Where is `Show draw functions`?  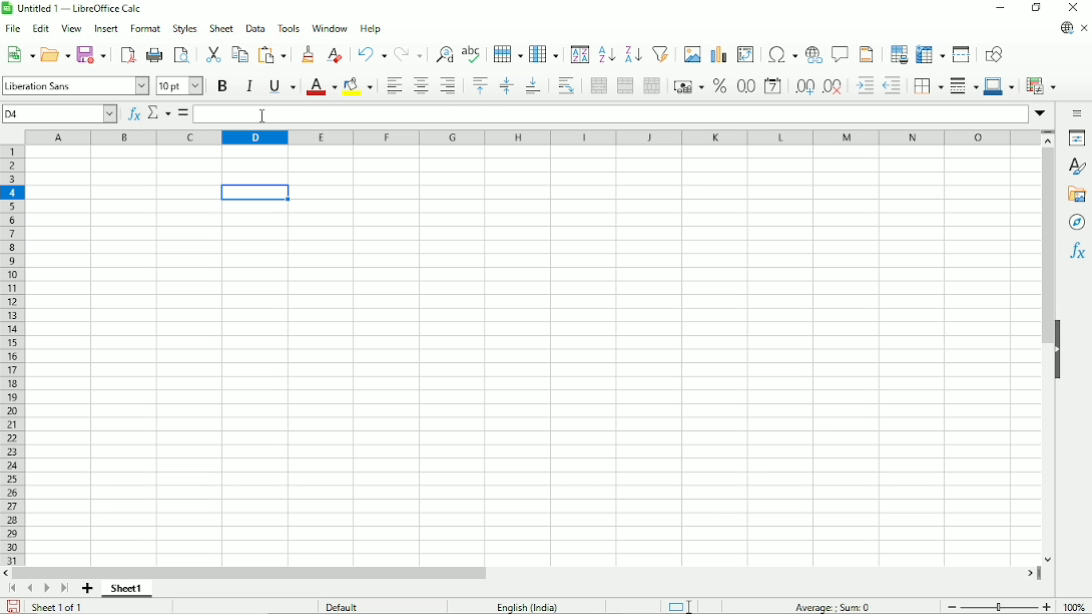 Show draw functions is located at coordinates (995, 53).